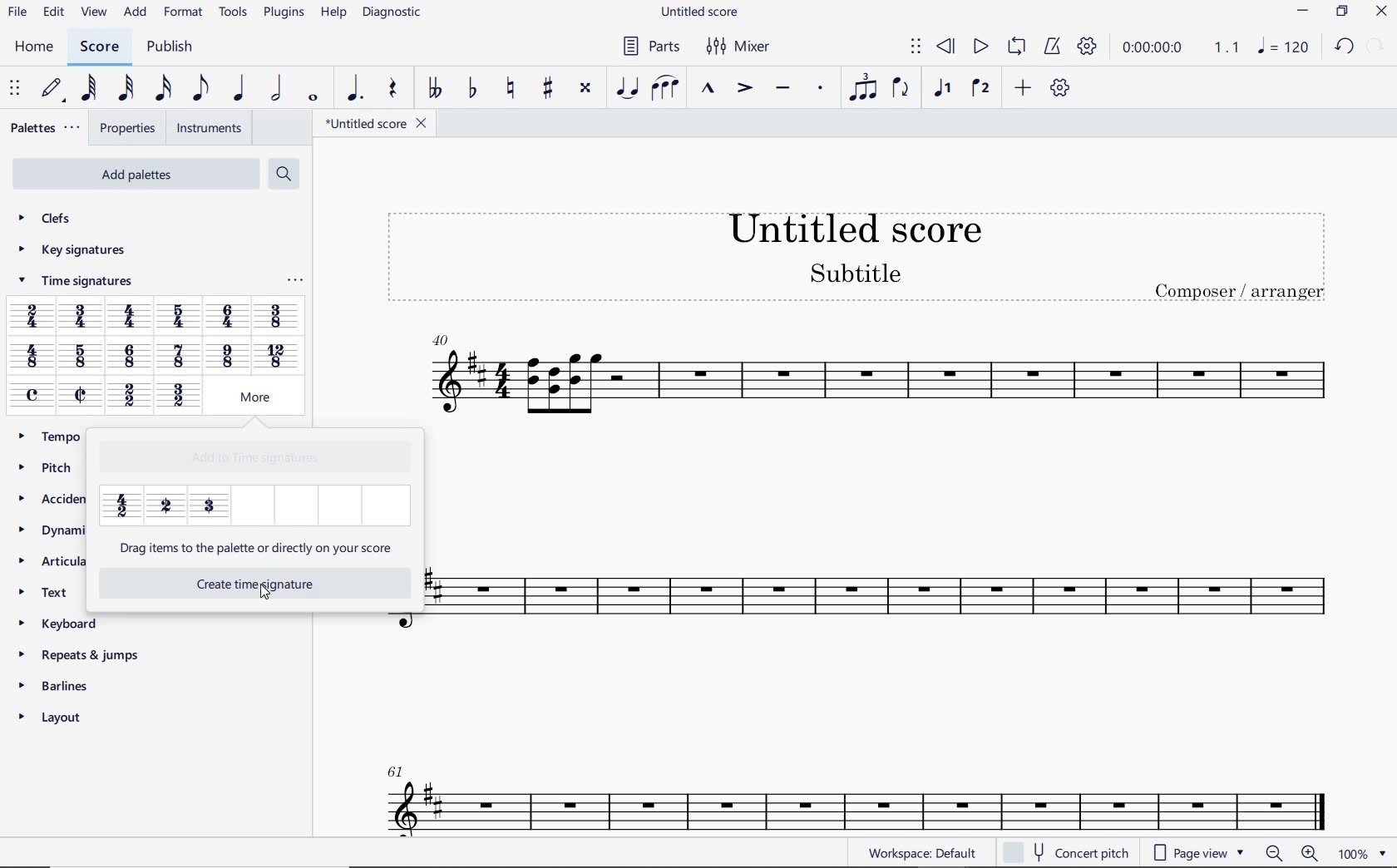 The height and width of the screenshot is (868, 1397). Describe the element at coordinates (173, 47) in the screenshot. I see `PUBLISH` at that location.